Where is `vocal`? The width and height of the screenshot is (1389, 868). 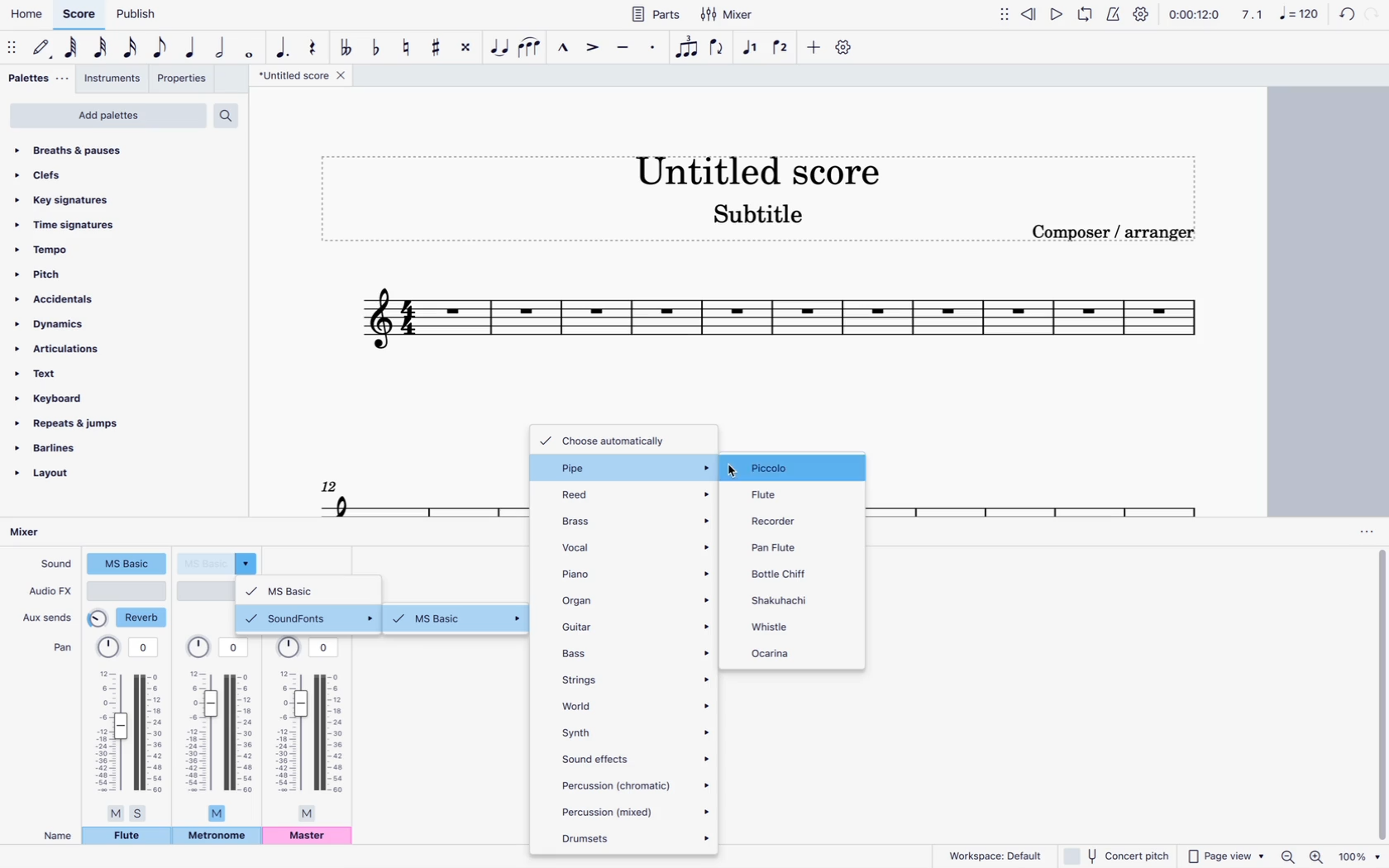
vocal is located at coordinates (634, 546).